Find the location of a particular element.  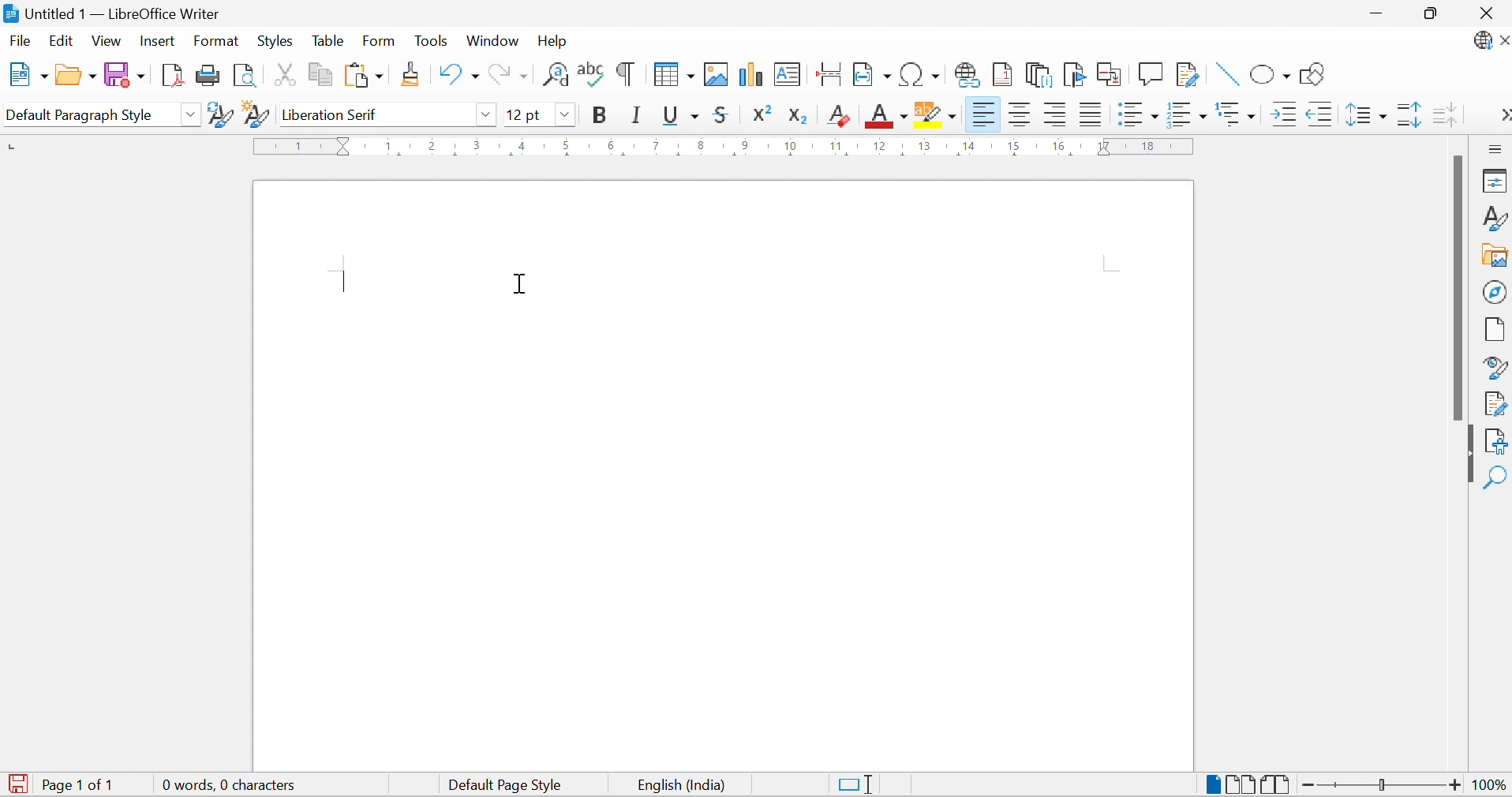

Select Outline Format is located at coordinates (1236, 112).